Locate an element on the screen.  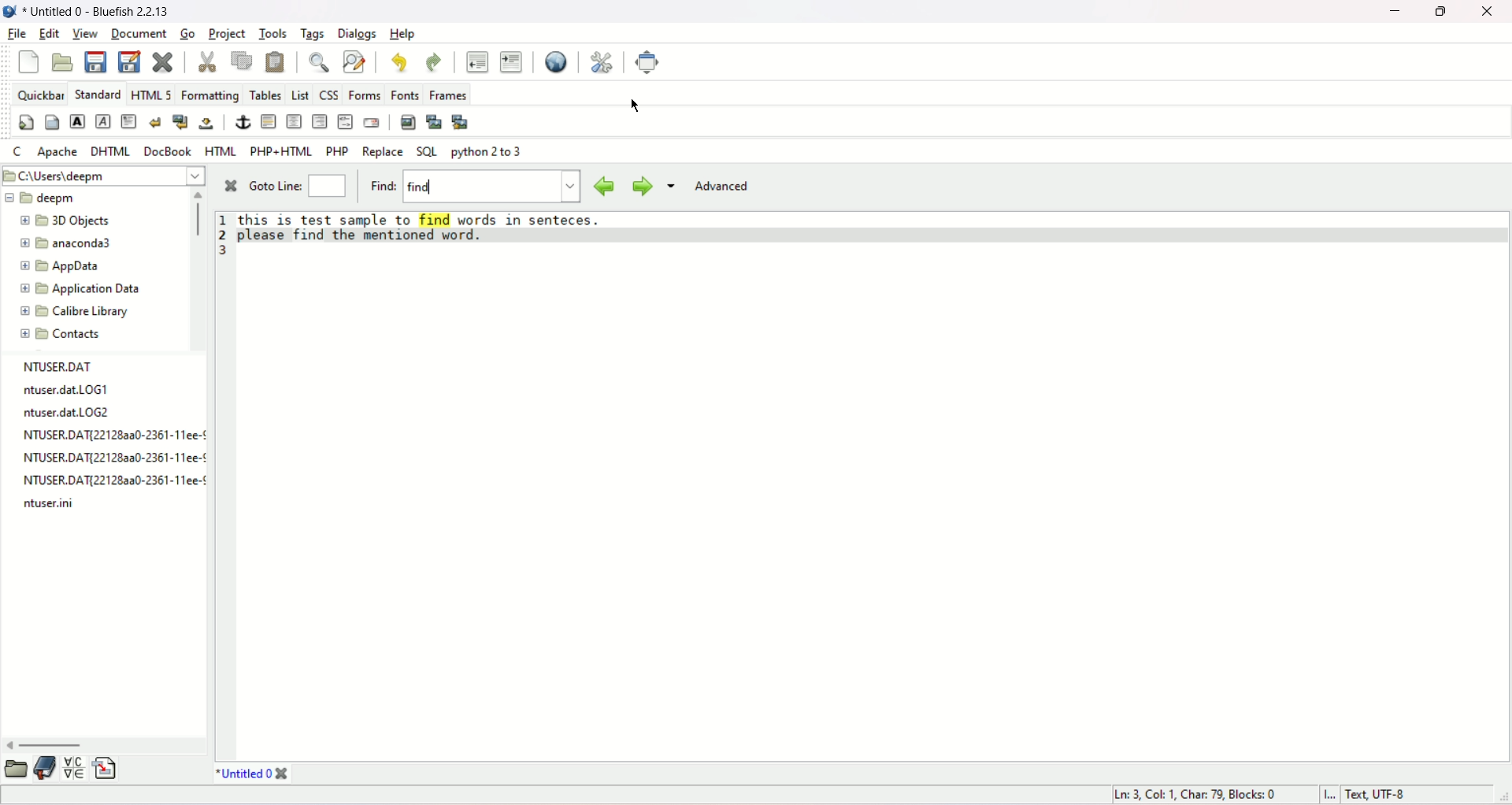
edit preferences is located at coordinates (602, 61).